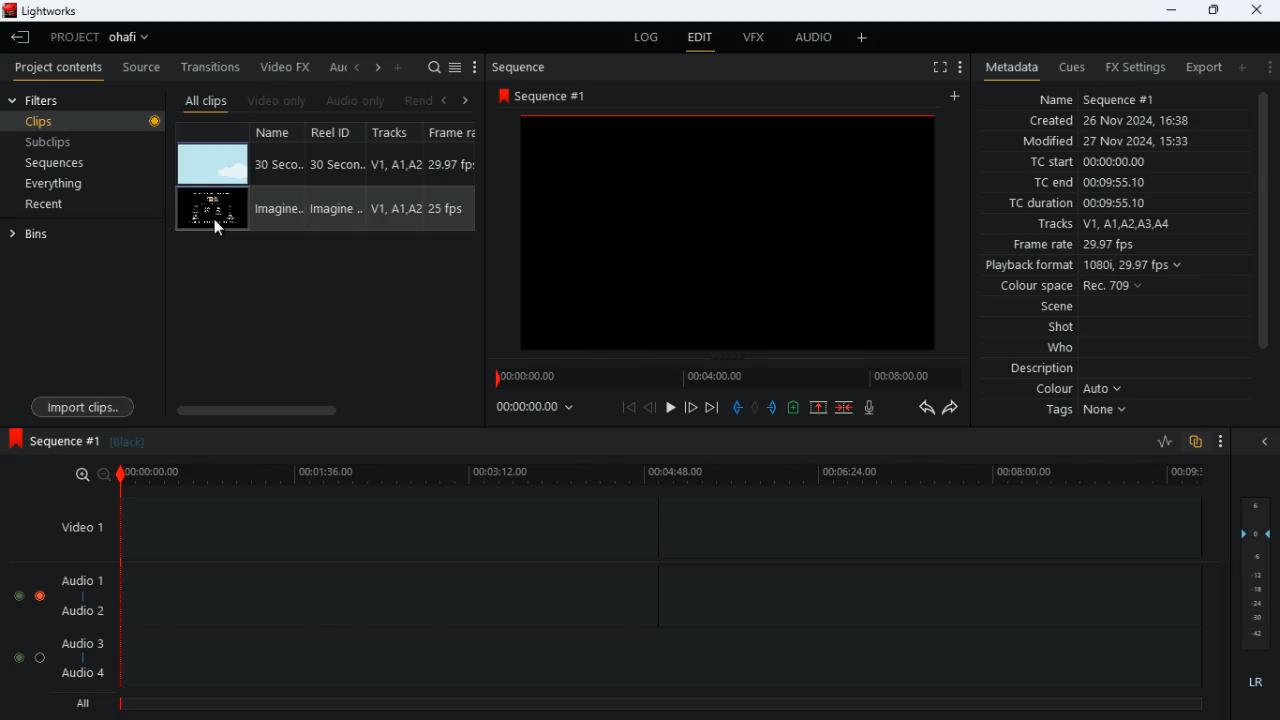 This screenshot has width=1280, height=720. What do you see at coordinates (690, 407) in the screenshot?
I see `forward` at bounding box center [690, 407].